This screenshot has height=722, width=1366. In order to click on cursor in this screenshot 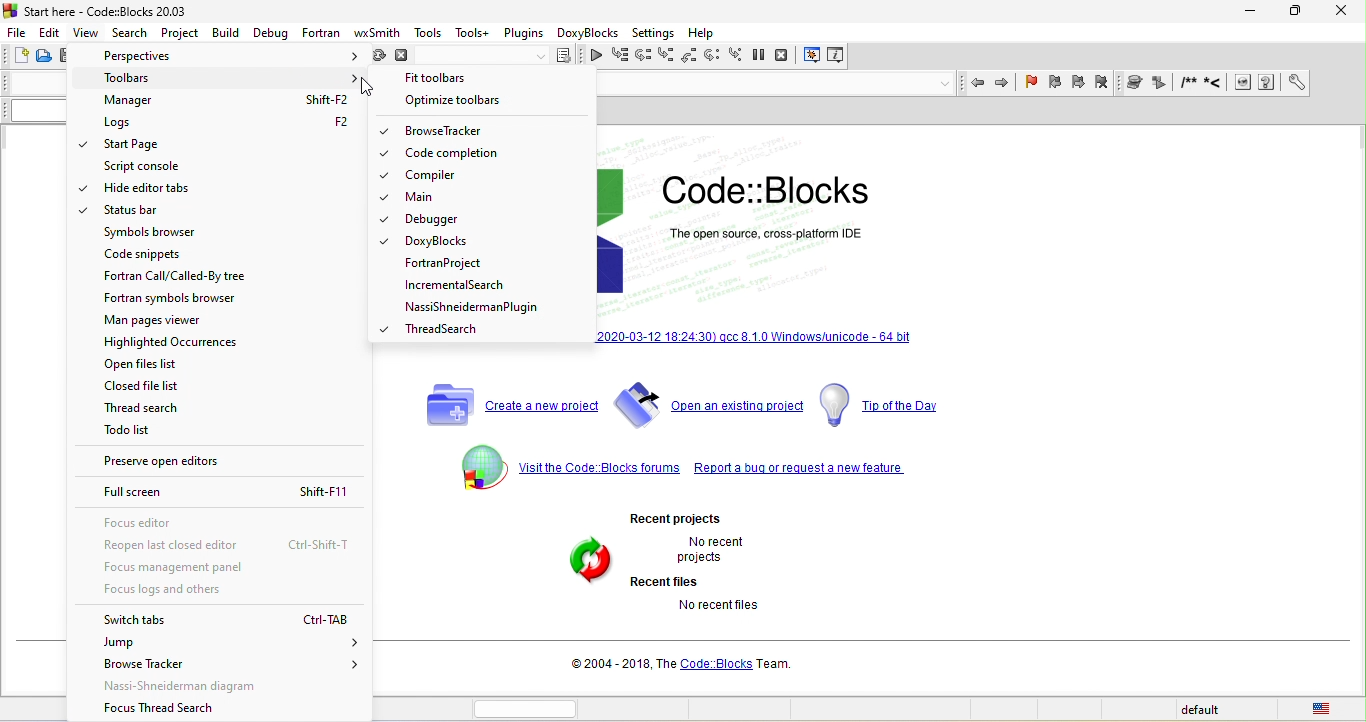, I will do `click(94, 40)`.